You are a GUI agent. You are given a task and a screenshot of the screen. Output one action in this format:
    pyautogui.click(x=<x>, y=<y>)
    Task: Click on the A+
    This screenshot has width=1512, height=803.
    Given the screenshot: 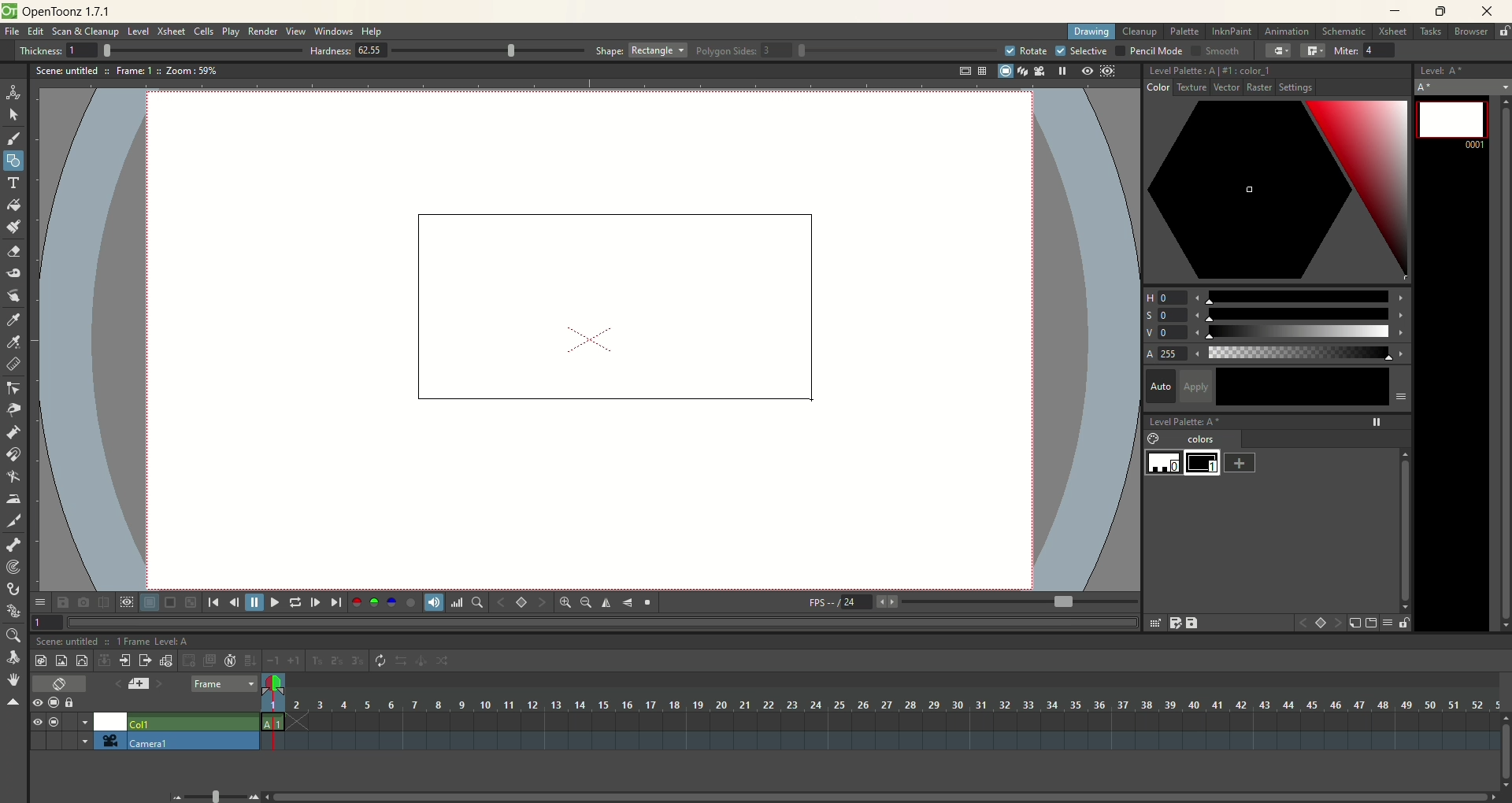 What is the action you would take?
    pyautogui.click(x=1464, y=87)
    